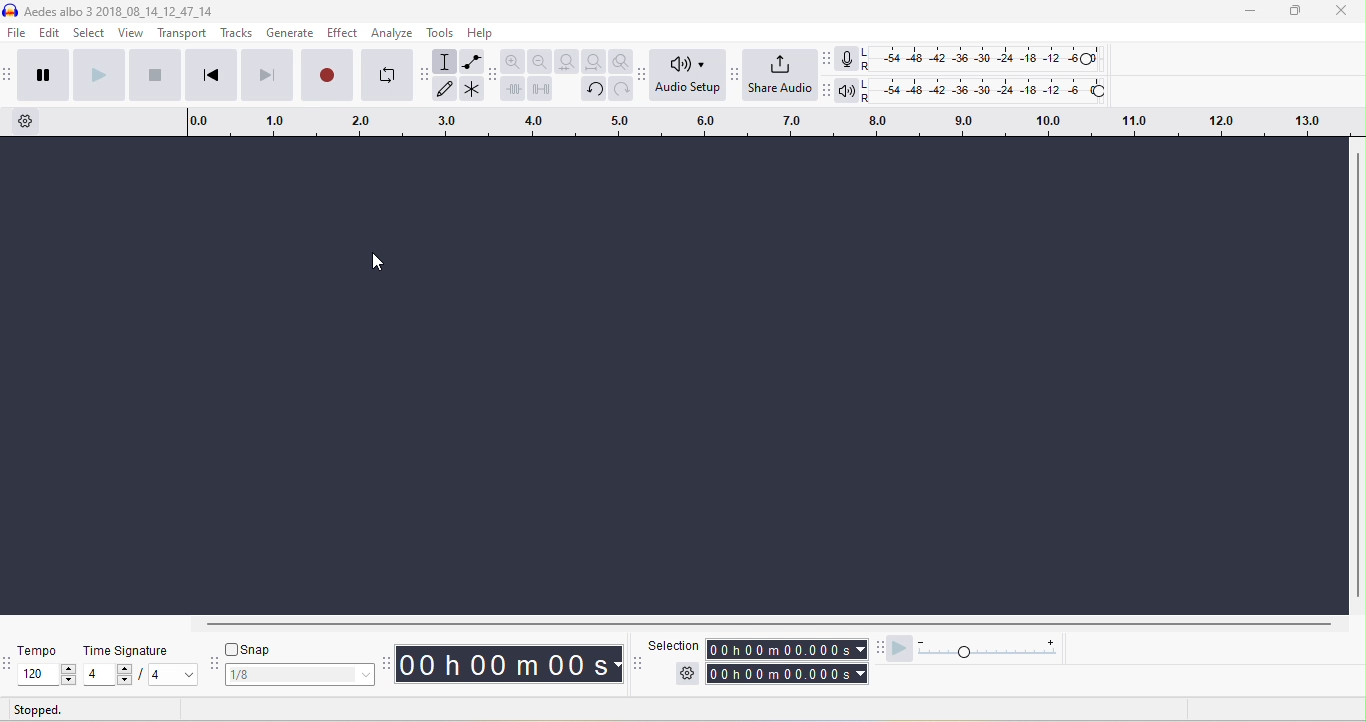 This screenshot has width=1366, height=722. I want to click on time signature, so click(127, 650).